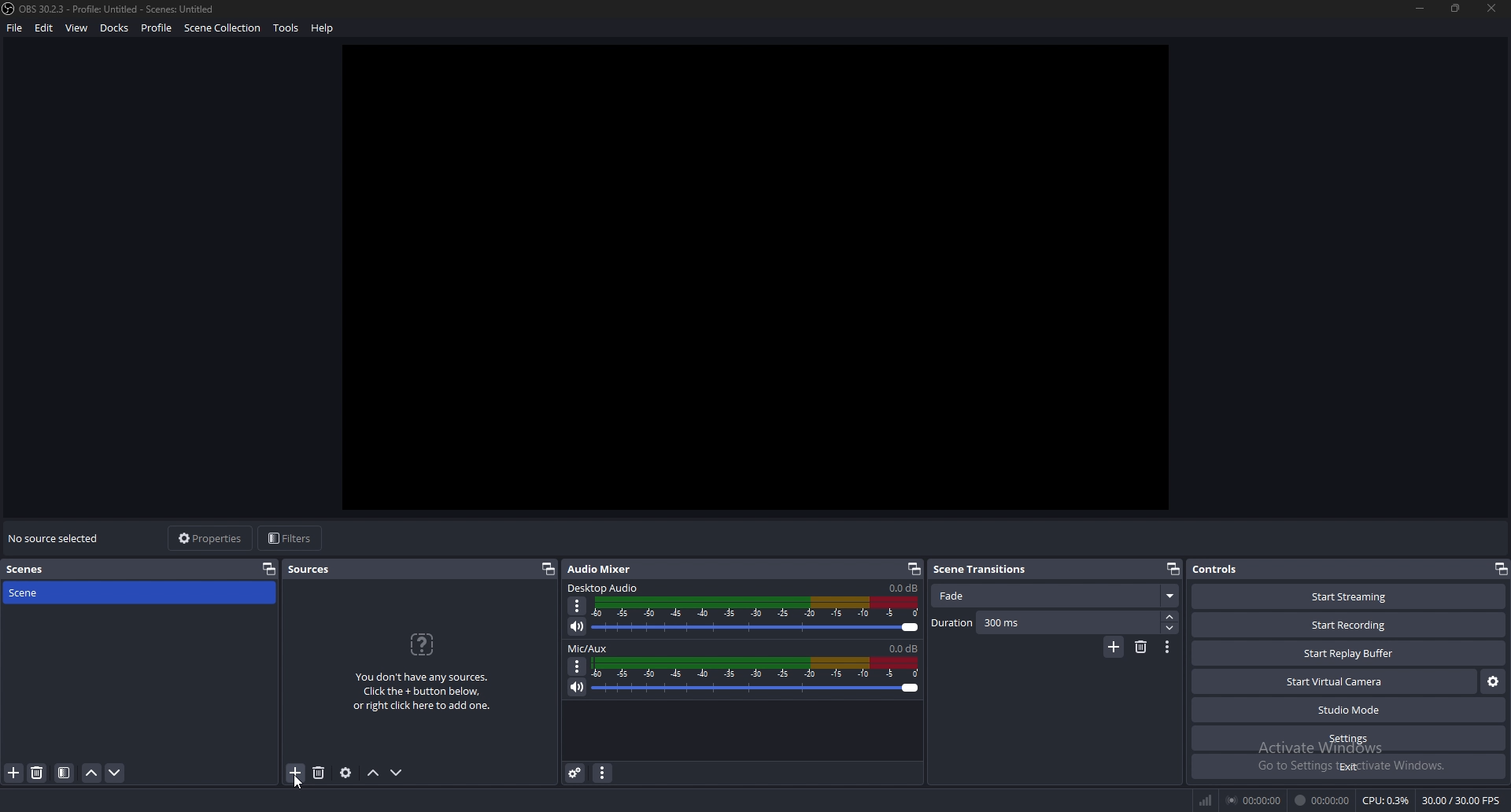 The height and width of the screenshot is (812, 1511). I want to click on cpu, so click(1386, 800).